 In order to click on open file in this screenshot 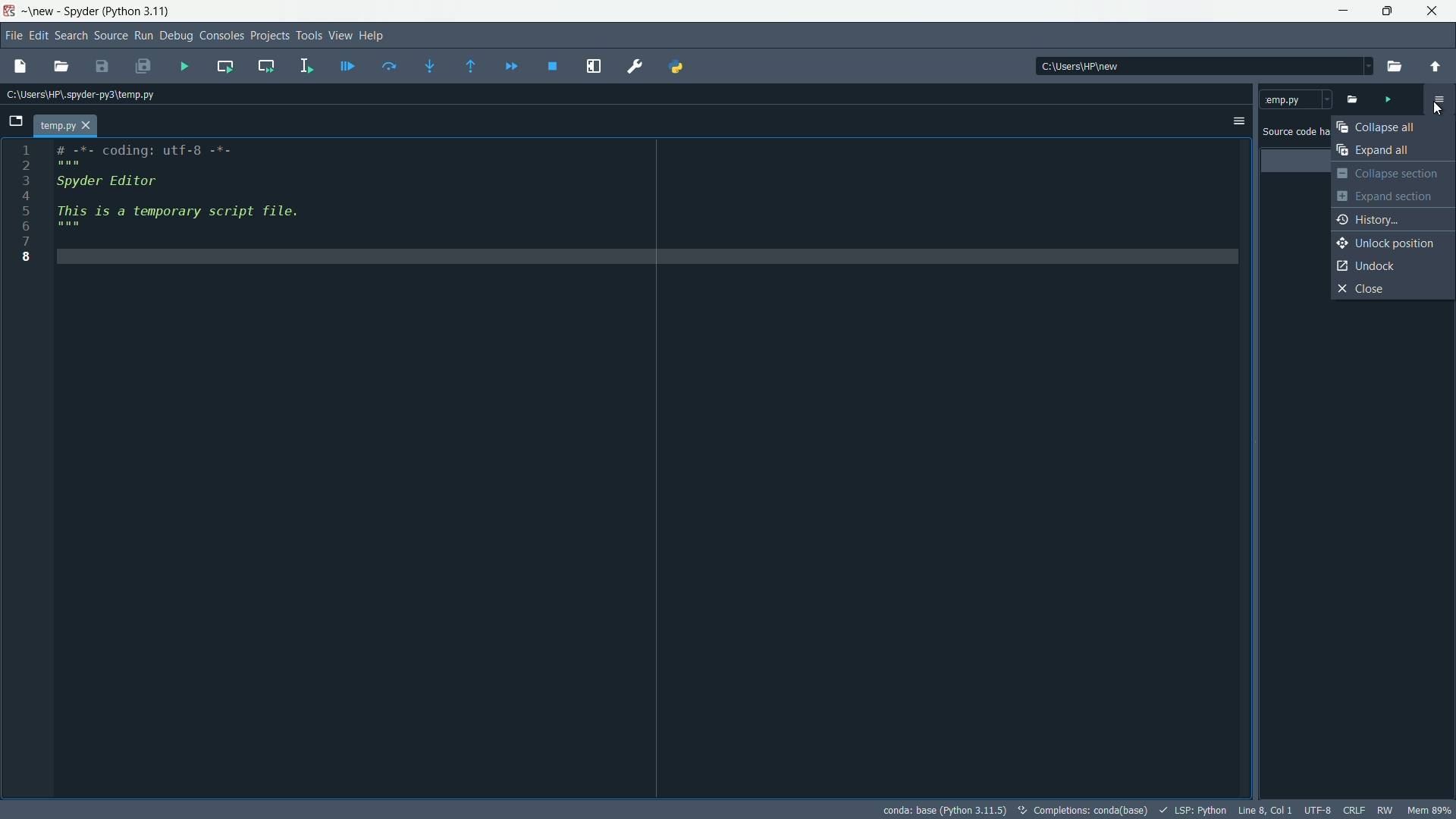, I will do `click(1355, 98)`.